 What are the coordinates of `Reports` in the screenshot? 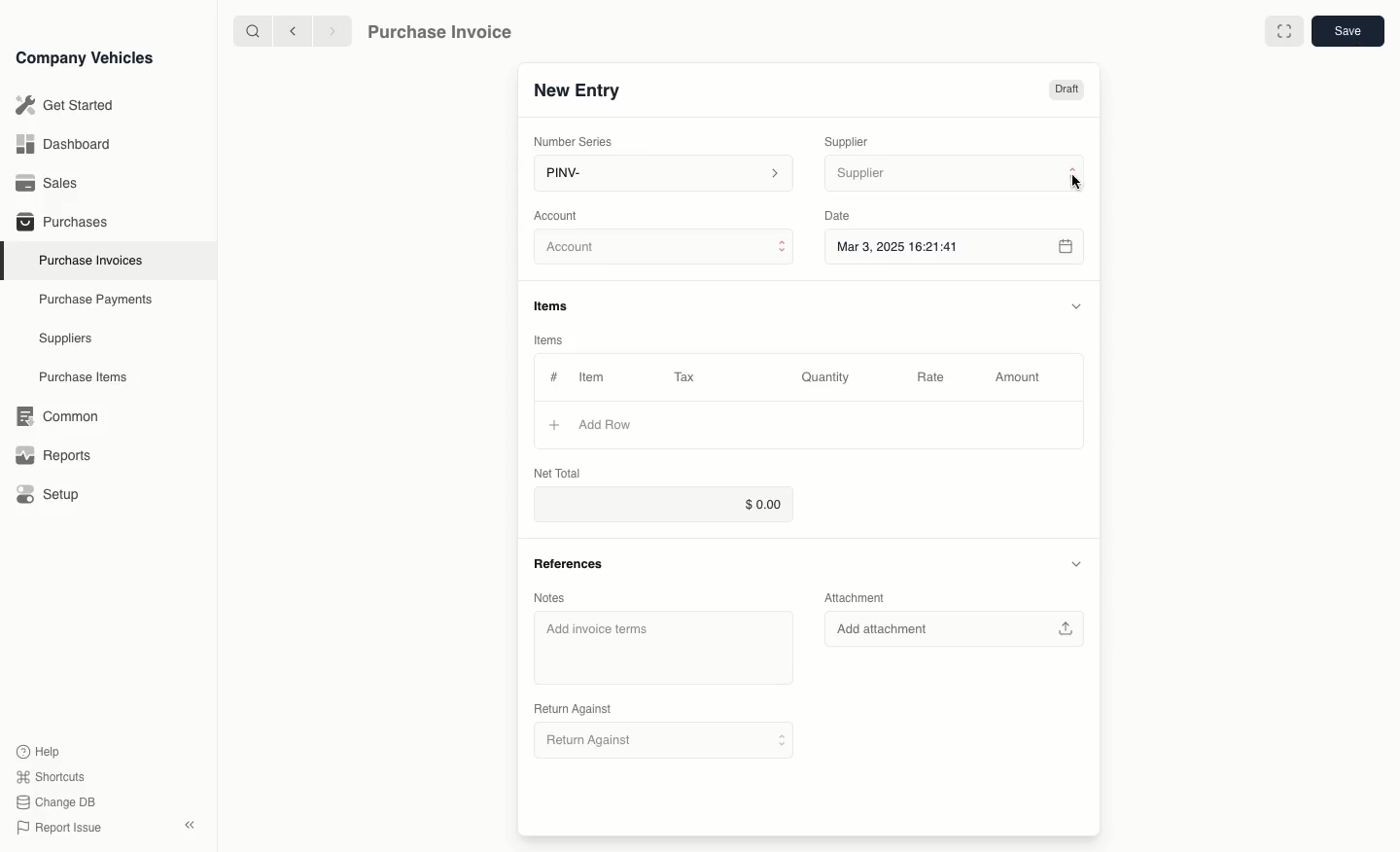 It's located at (53, 455).